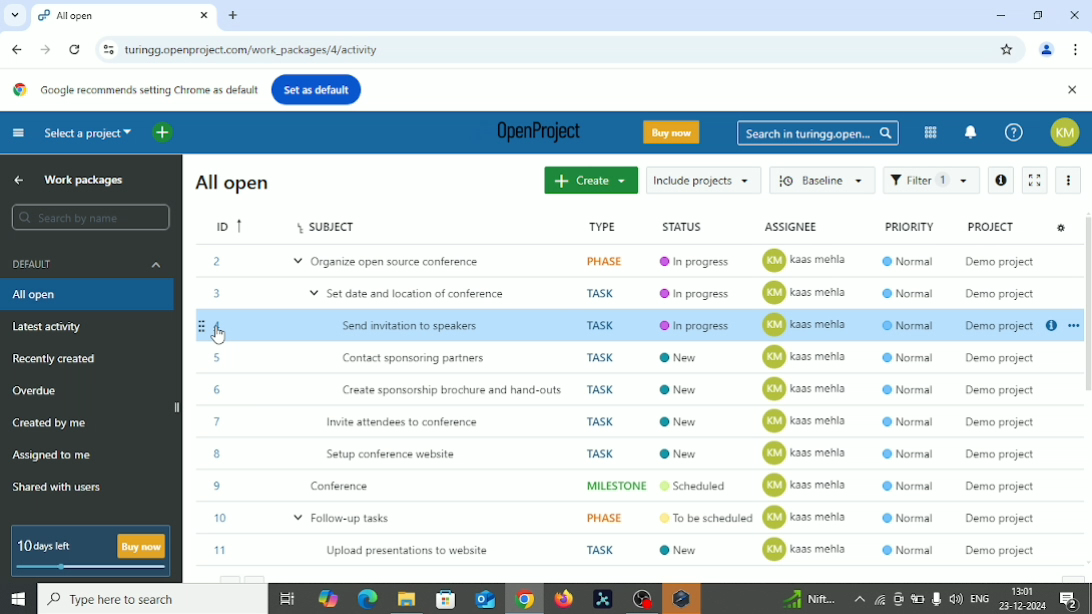 The height and width of the screenshot is (614, 1092). I want to click on Set as default, so click(316, 89).